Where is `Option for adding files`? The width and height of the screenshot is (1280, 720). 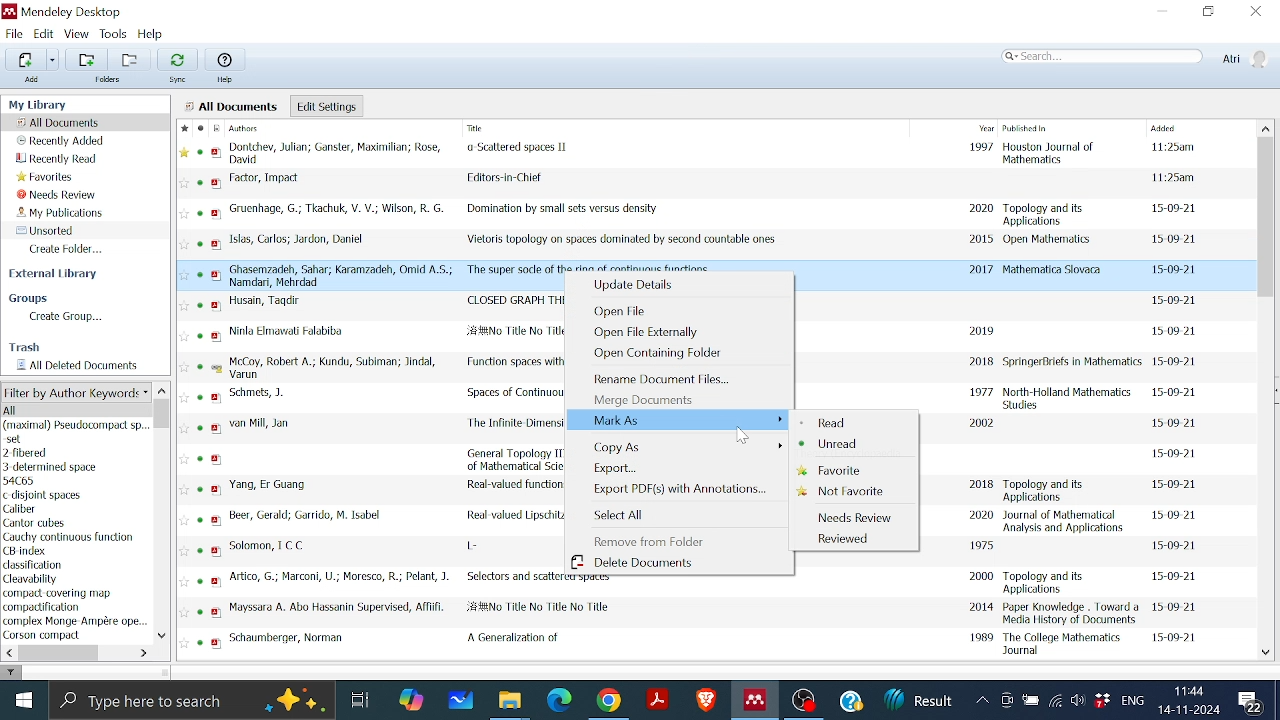 Option for adding files is located at coordinates (51, 59).